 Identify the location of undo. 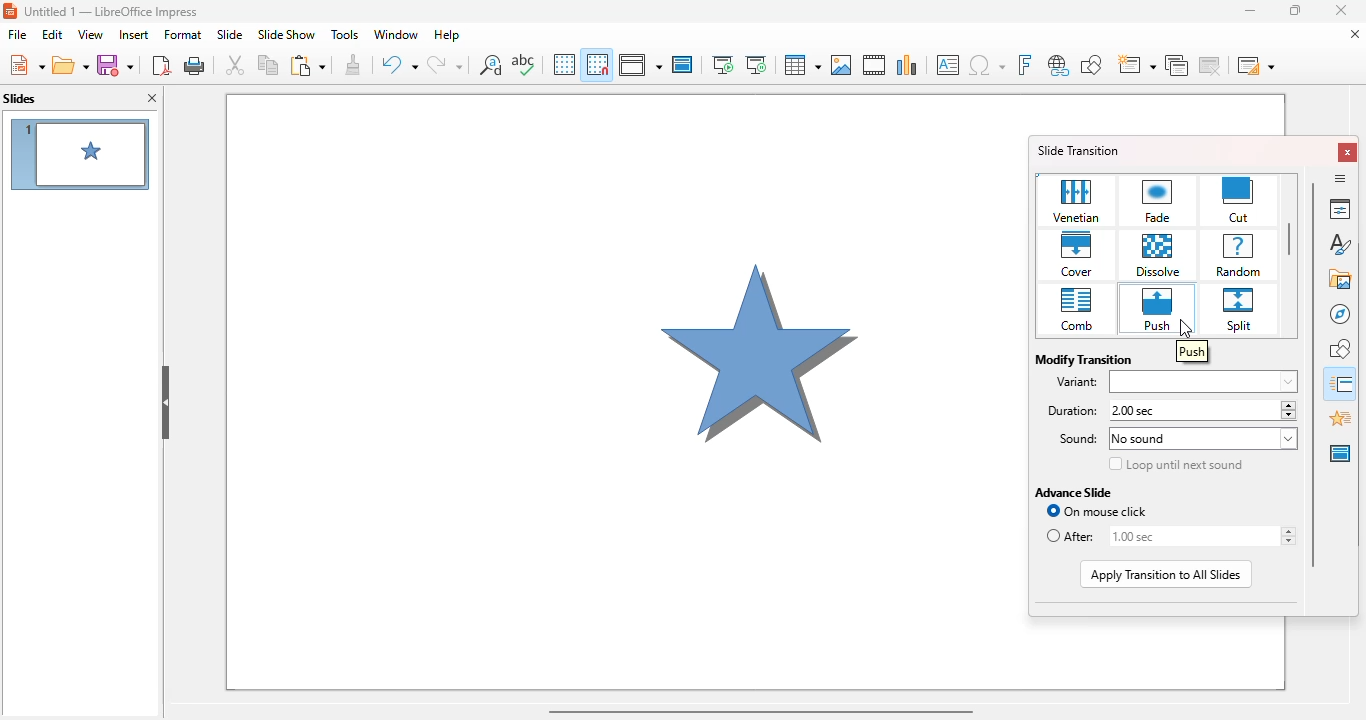
(398, 65).